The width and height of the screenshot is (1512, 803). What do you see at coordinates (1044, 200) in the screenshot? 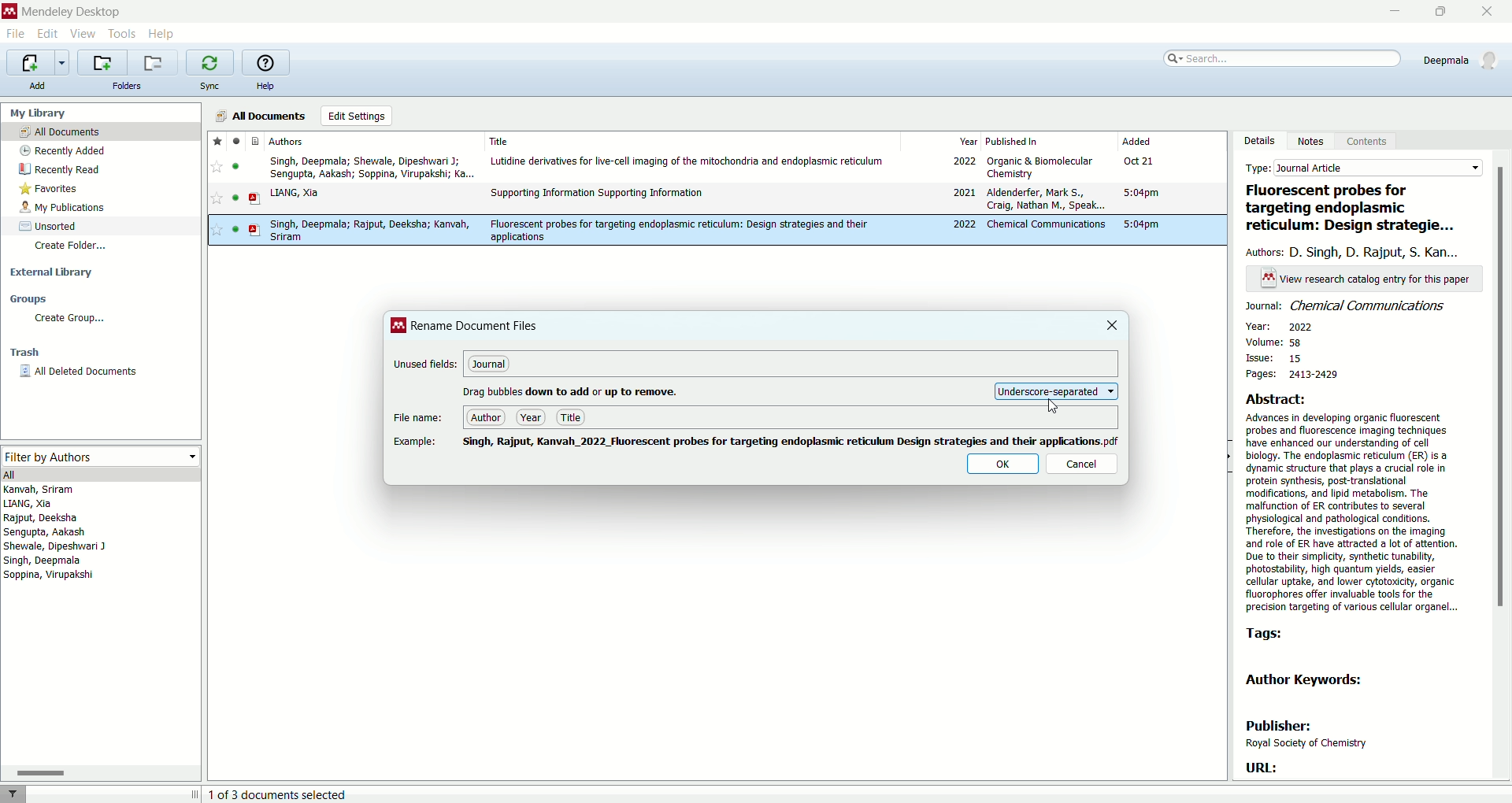
I see `Aldenderfer, Mark S, Craig, Nathan M, Speak` at bounding box center [1044, 200].